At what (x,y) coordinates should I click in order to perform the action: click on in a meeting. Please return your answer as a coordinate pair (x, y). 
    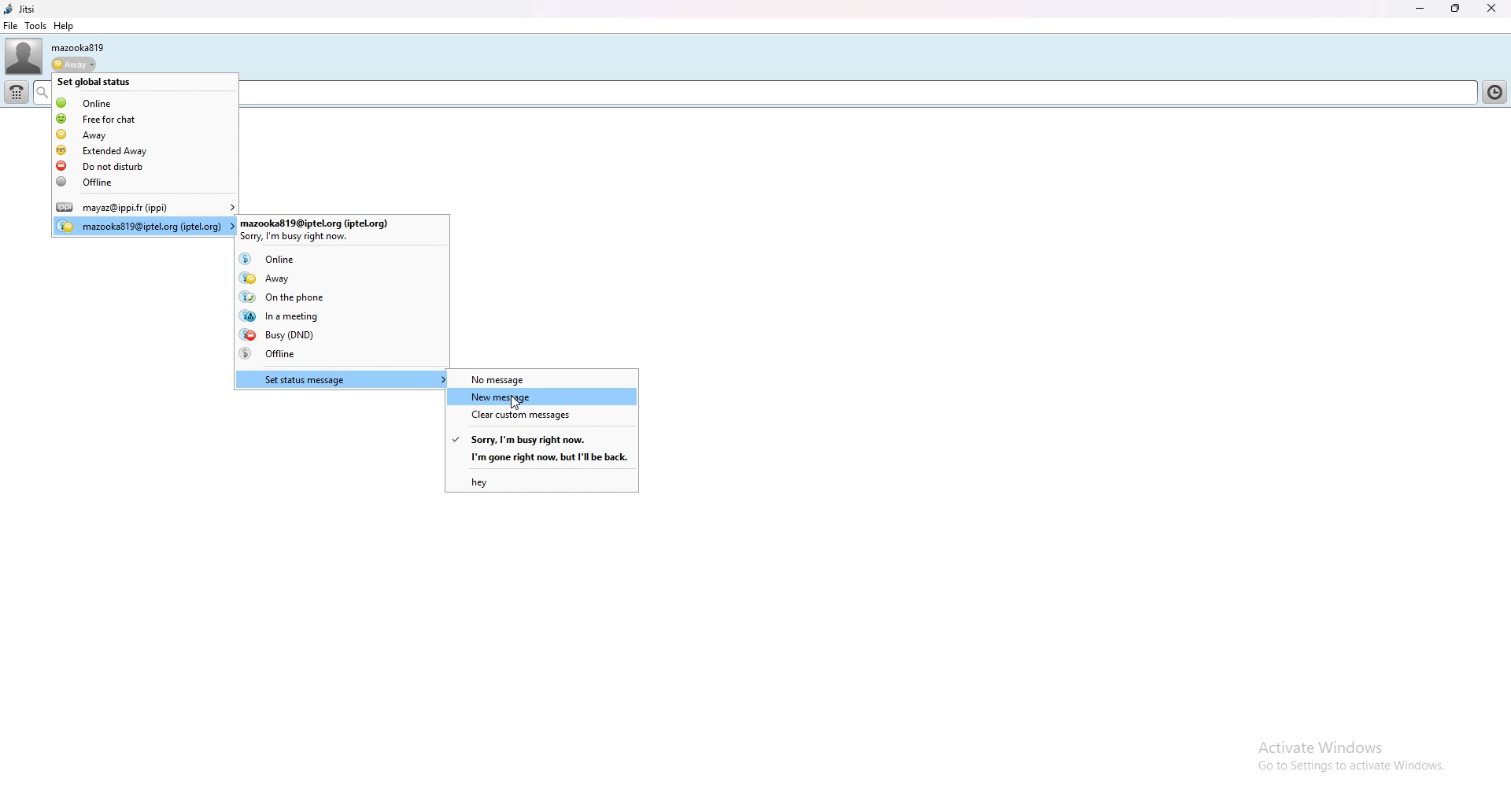
    Looking at the image, I should click on (342, 316).